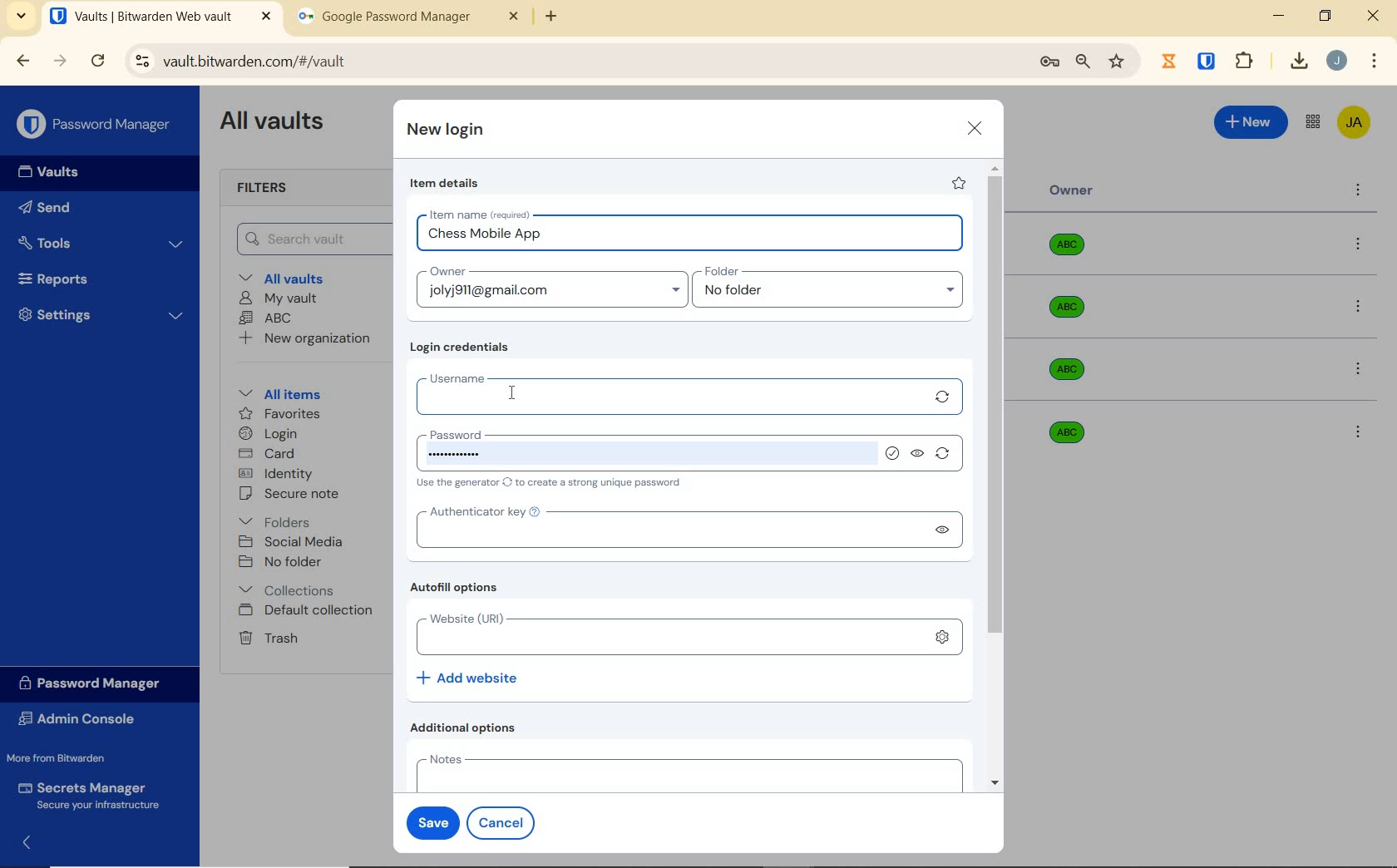 This screenshot has height=868, width=1397. I want to click on close sidebar, so click(34, 842).